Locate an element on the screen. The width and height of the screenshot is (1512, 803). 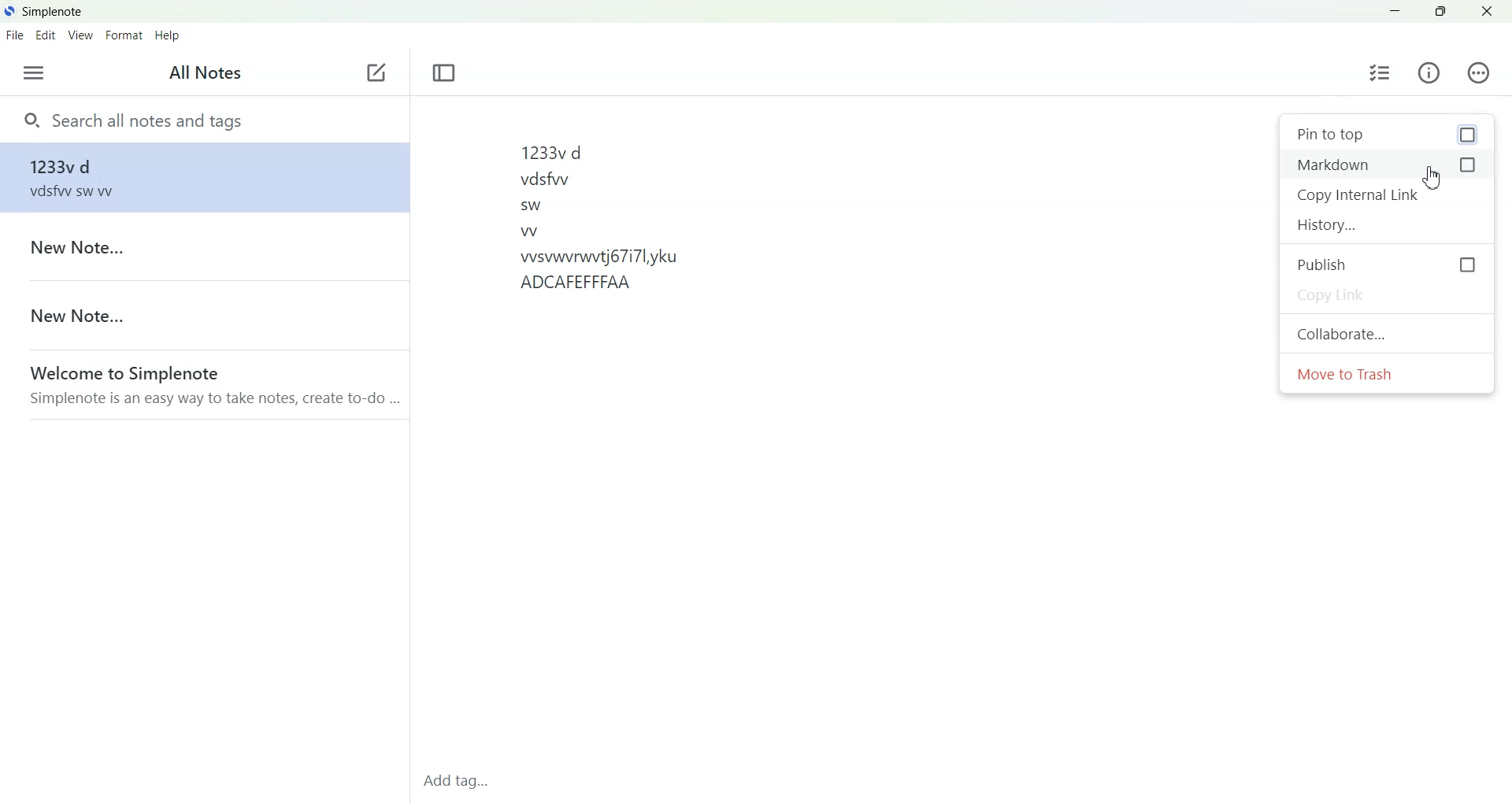
Maximize is located at coordinates (1440, 12).